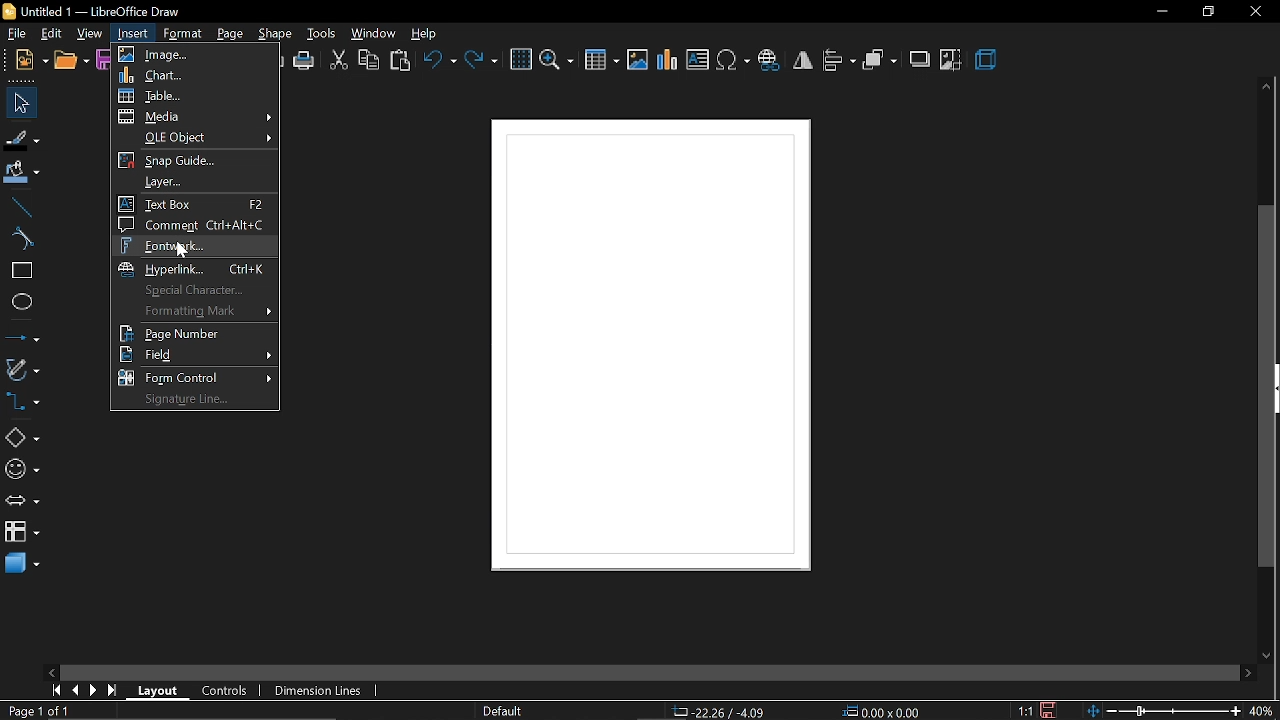 The width and height of the screenshot is (1280, 720). I want to click on next page, so click(90, 690).